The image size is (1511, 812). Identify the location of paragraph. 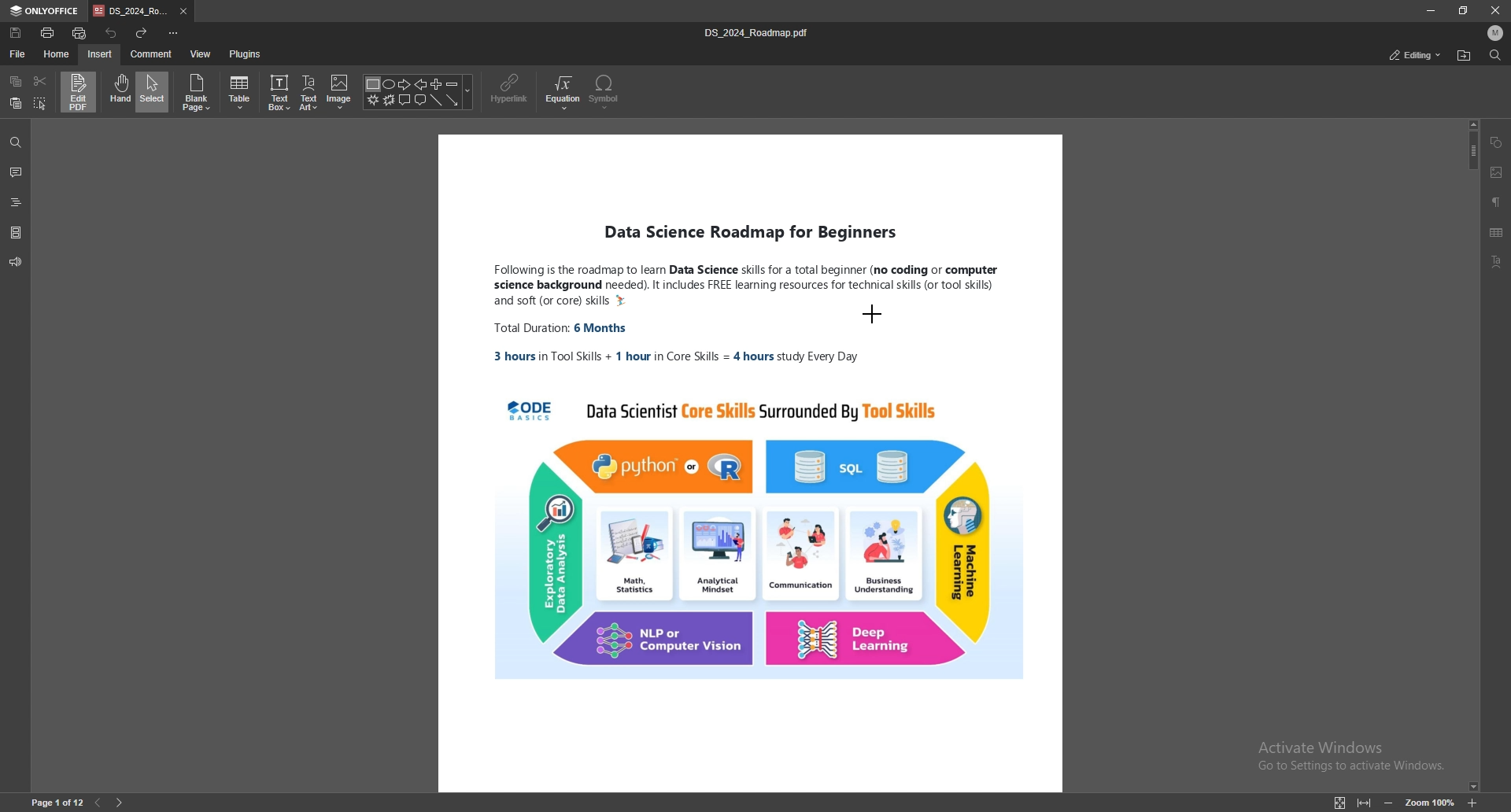
(1497, 201).